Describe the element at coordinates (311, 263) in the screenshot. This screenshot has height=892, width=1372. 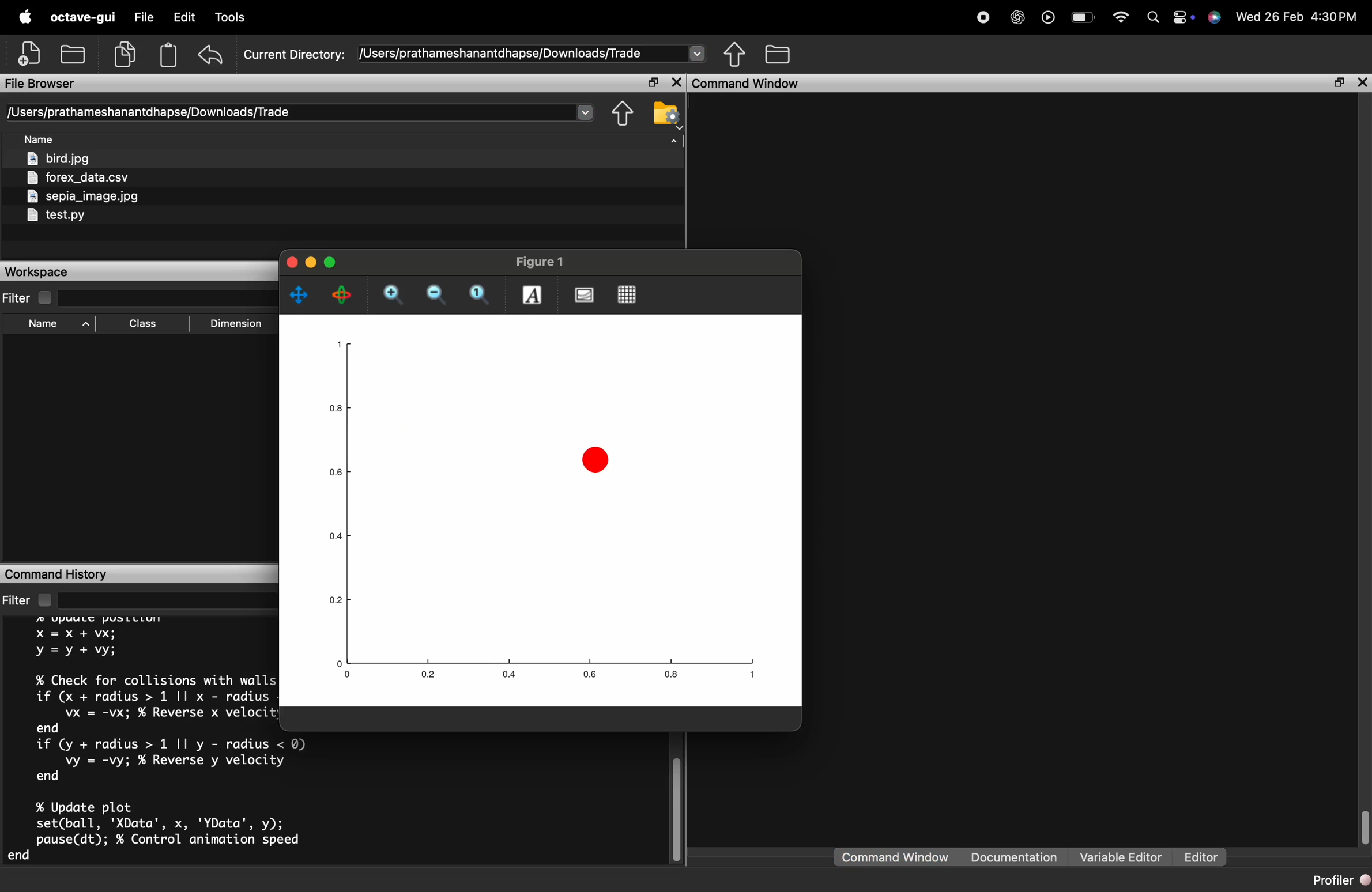
I see `minimise` at that location.